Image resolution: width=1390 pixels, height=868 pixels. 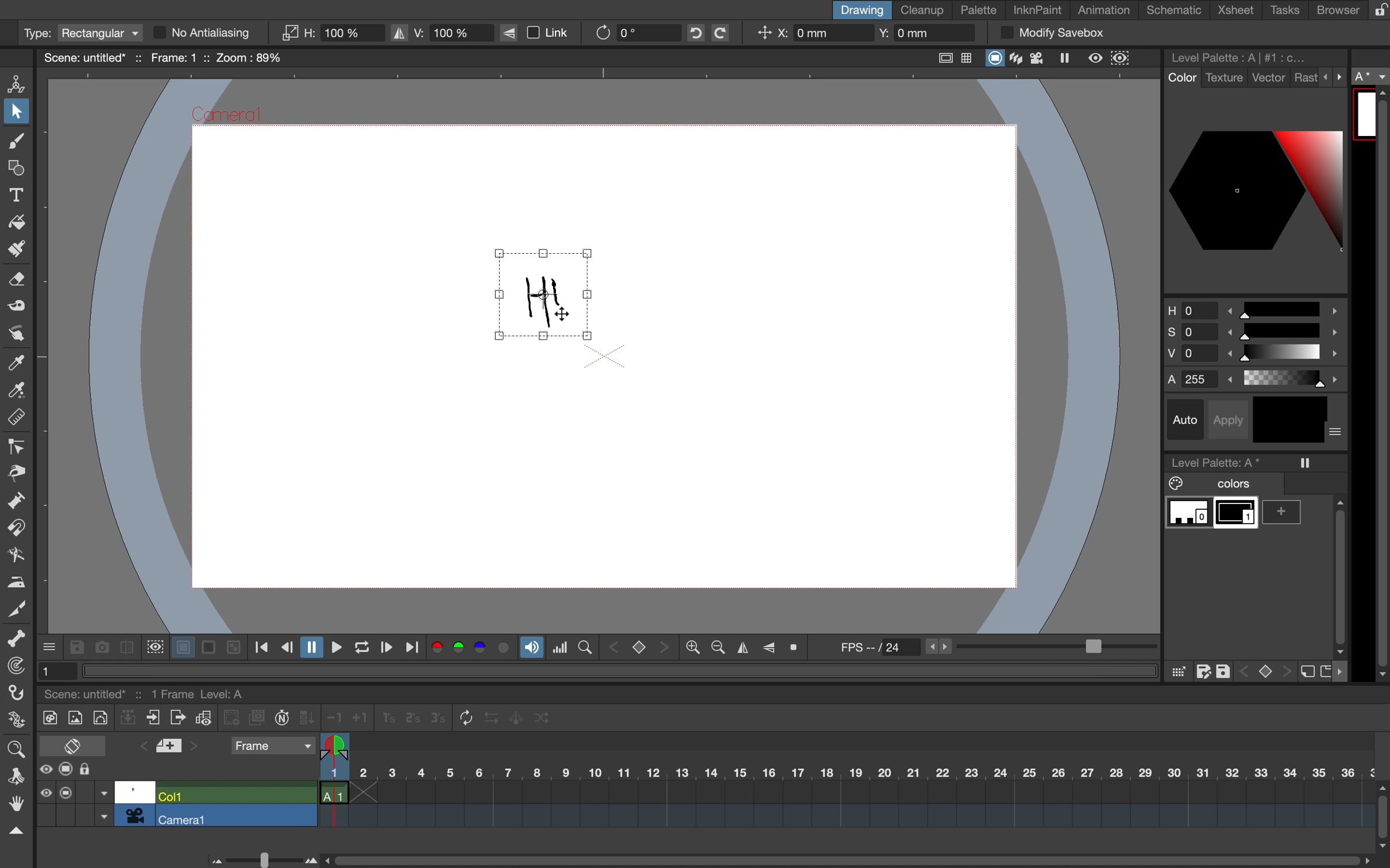 What do you see at coordinates (1338, 572) in the screenshot?
I see `vertical scroll bar sidebar` at bounding box center [1338, 572].